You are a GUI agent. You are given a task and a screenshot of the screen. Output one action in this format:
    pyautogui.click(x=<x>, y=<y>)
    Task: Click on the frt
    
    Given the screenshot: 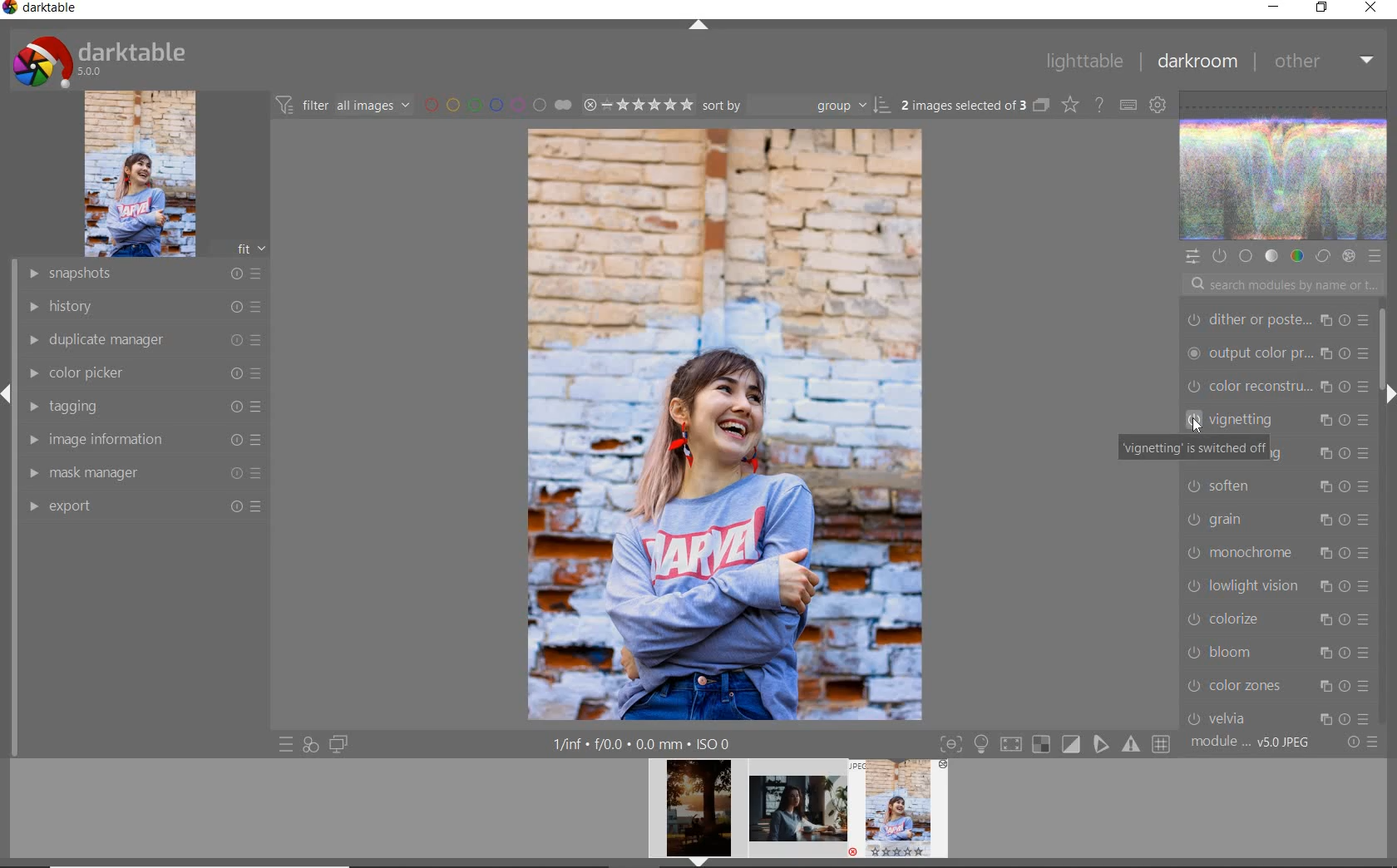 What is the action you would take?
    pyautogui.click(x=250, y=246)
    